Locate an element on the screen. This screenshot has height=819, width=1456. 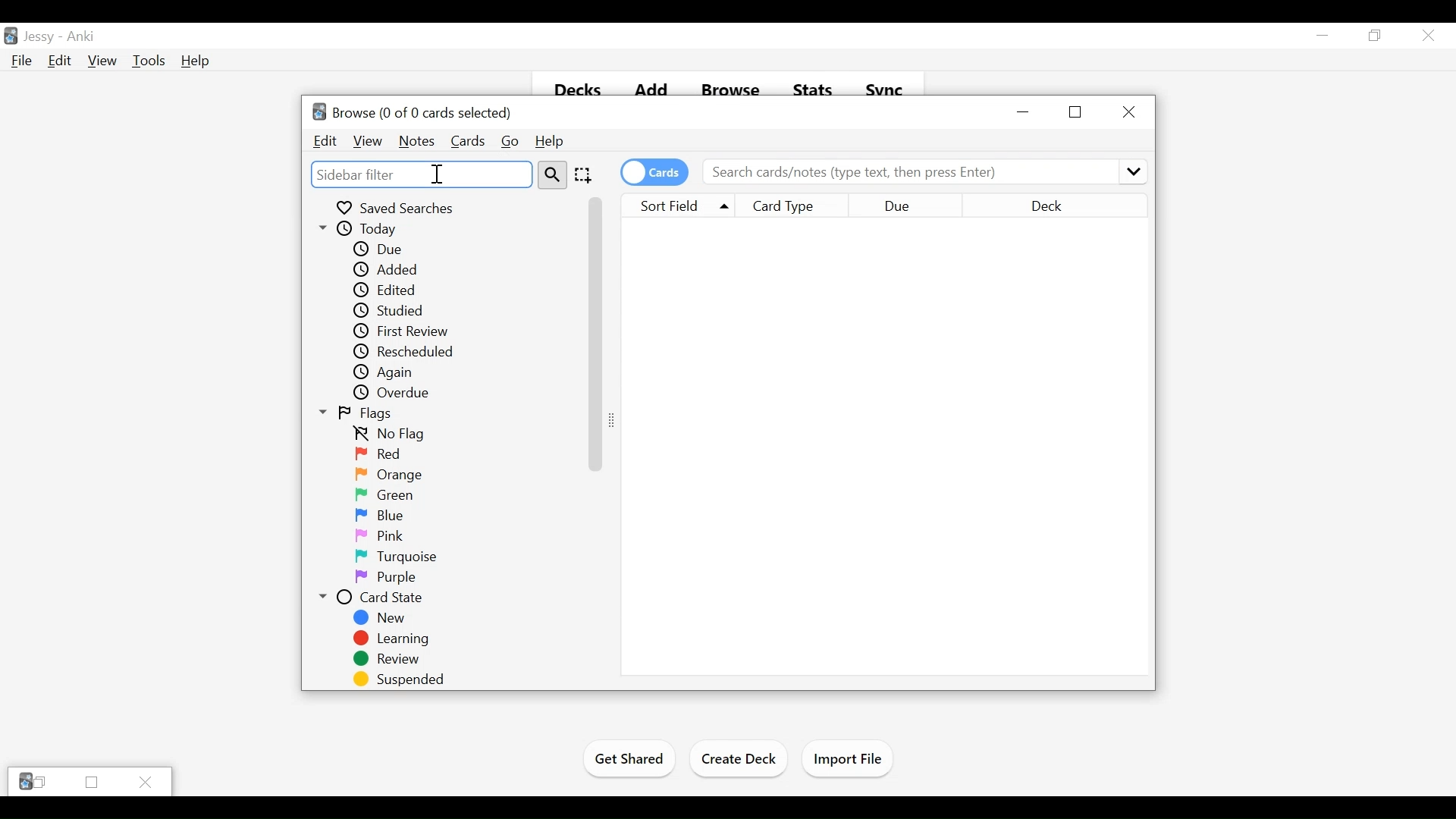
Again is located at coordinates (390, 372).